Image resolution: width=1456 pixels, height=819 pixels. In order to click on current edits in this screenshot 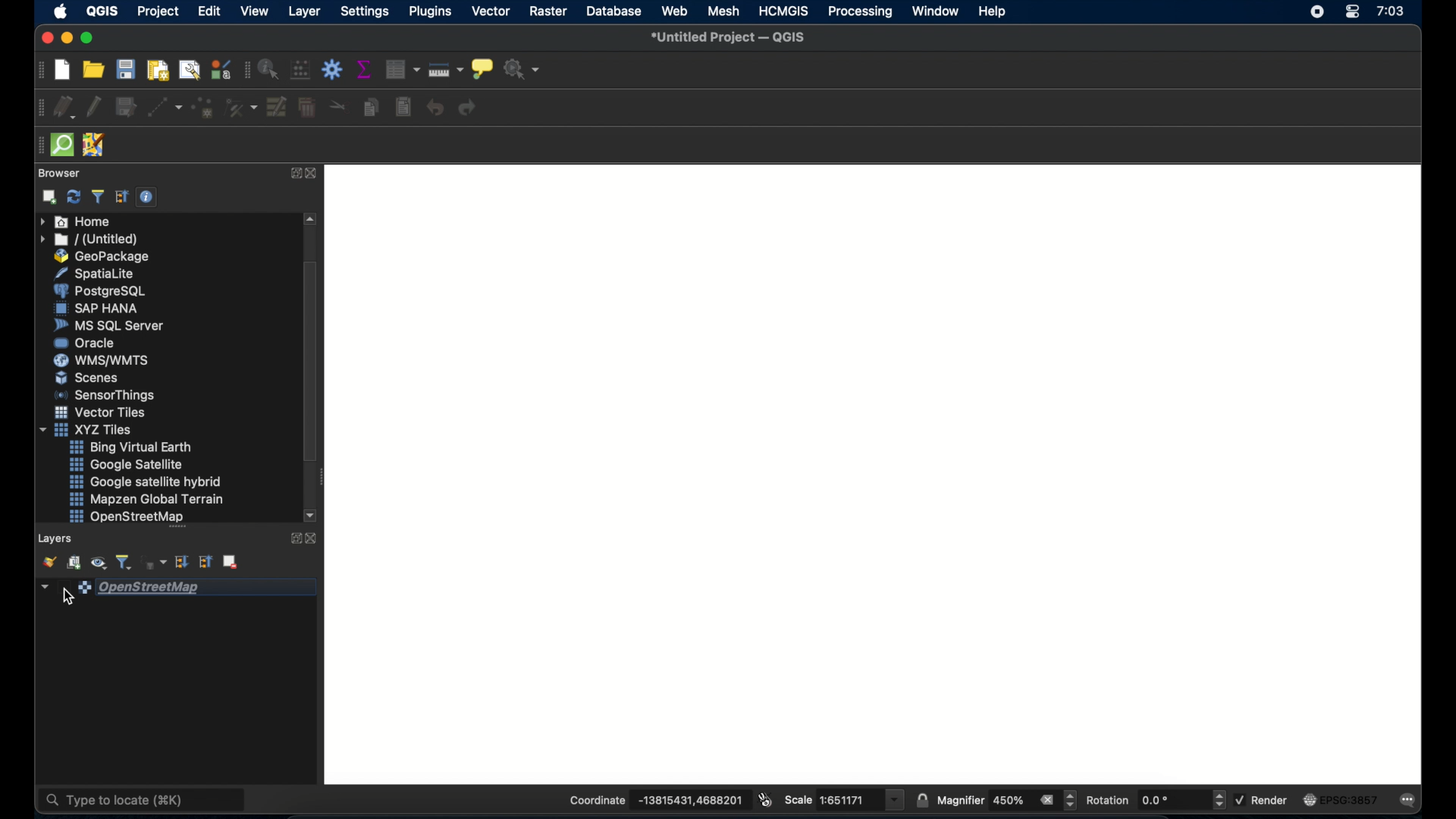, I will do `click(64, 108)`.